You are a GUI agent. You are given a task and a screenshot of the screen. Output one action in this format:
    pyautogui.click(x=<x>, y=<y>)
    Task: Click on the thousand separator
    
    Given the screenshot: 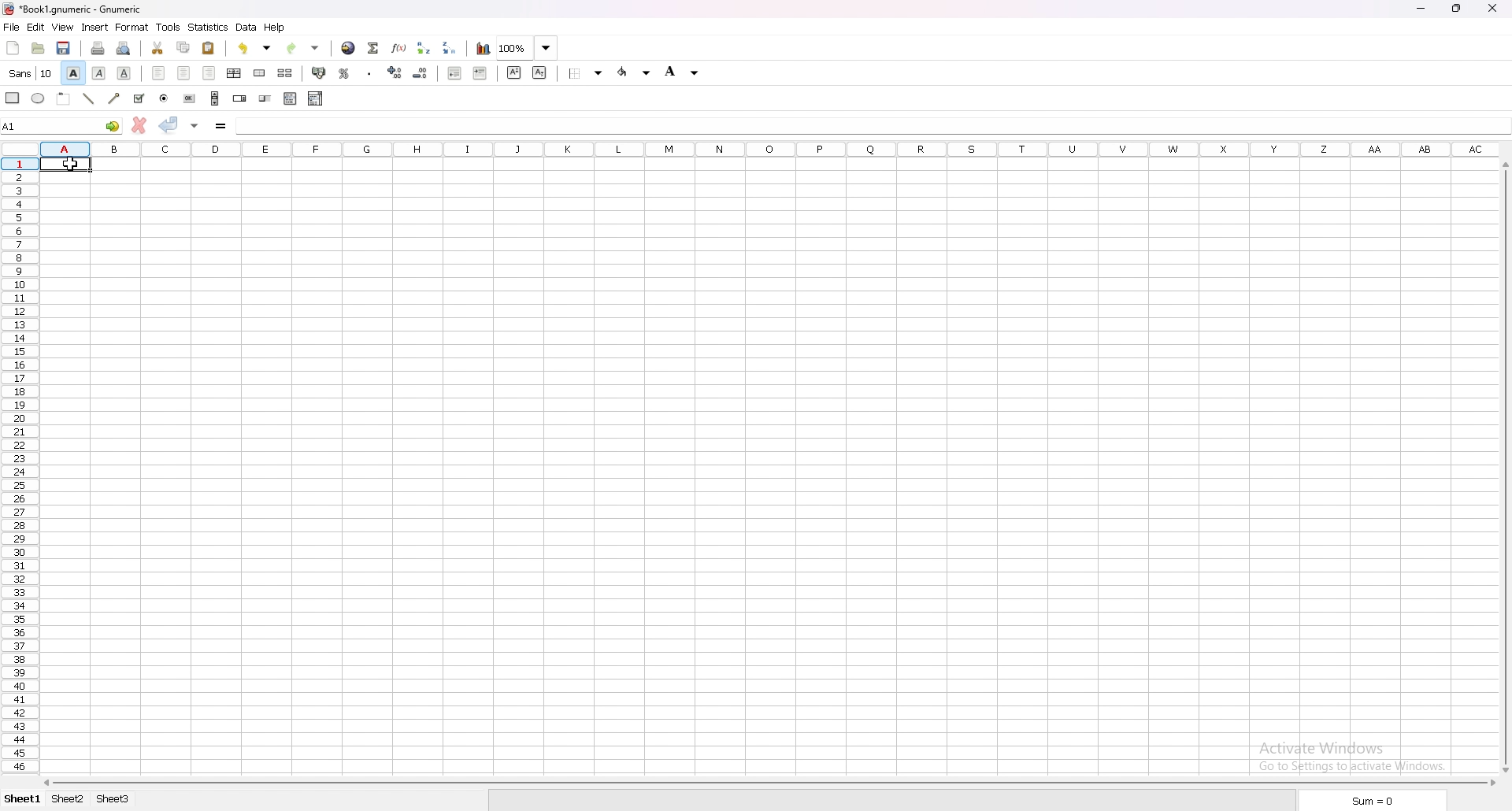 What is the action you would take?
    pyautogui.click(x=370, y=73)
    